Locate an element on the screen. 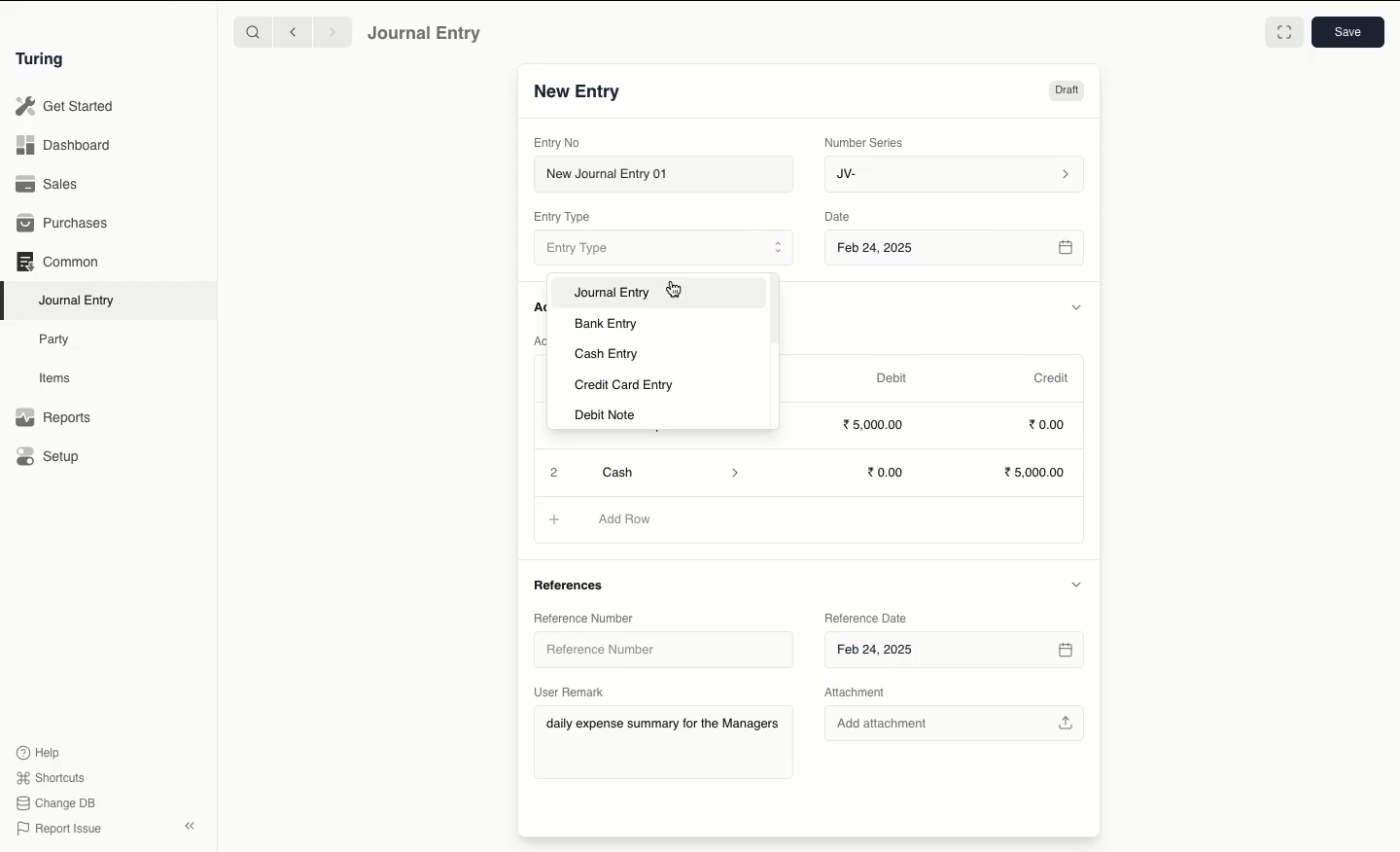  Forward is located at coordinates (333, 31).